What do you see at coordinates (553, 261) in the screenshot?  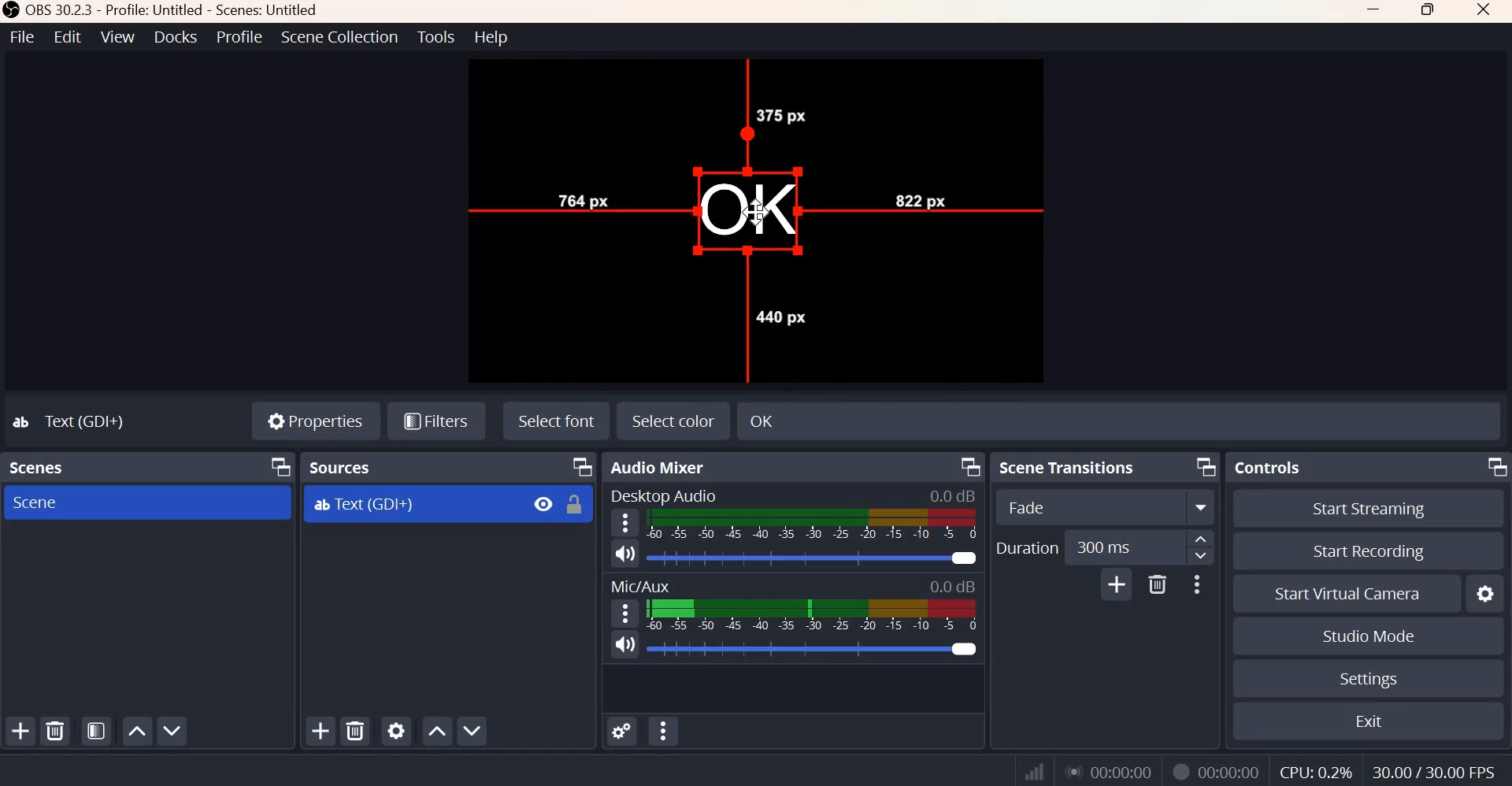 I see `816 px` at bounding box center [553, 261].